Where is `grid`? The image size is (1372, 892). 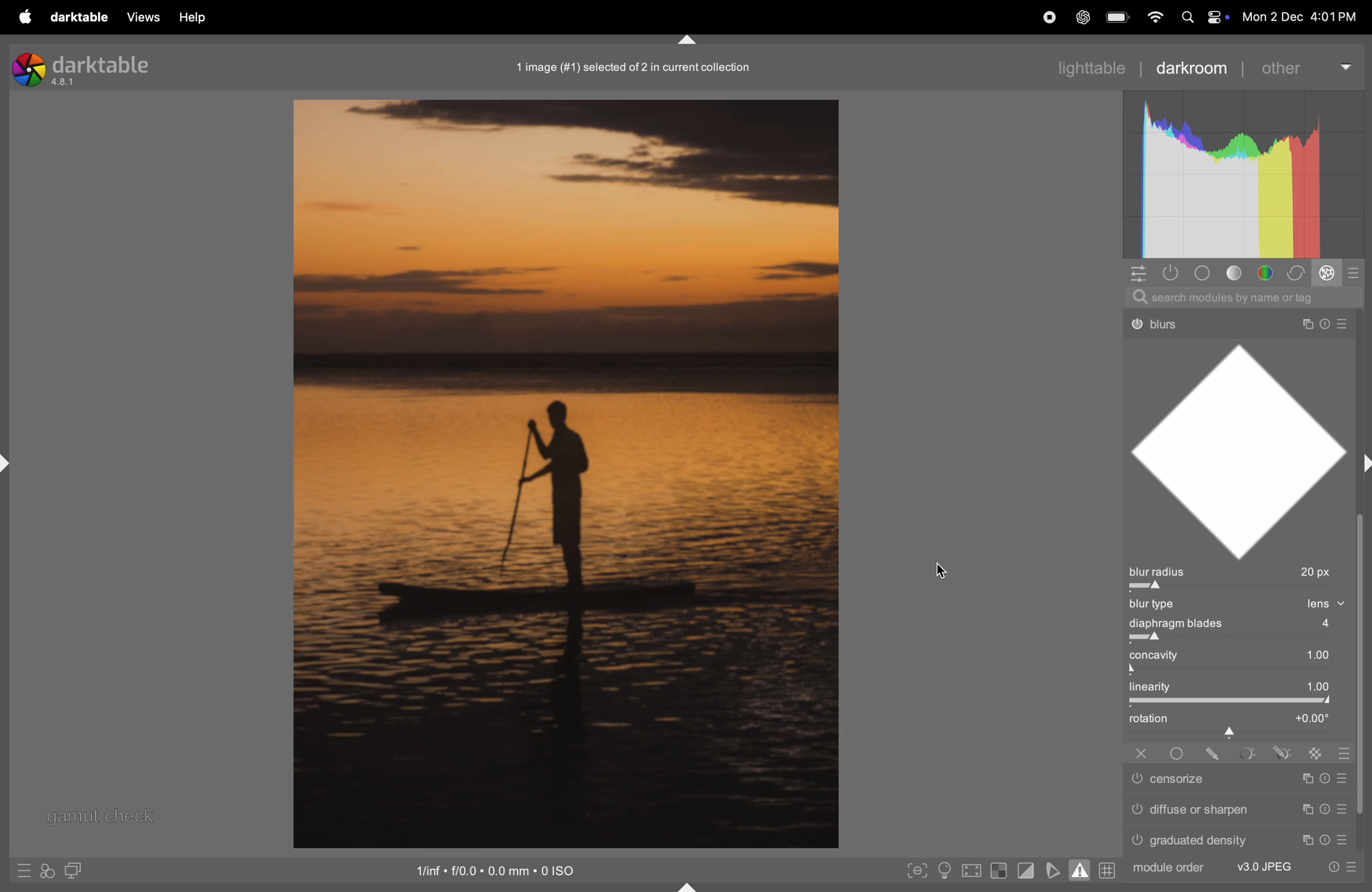 grid is located at coordinates (1108, 870).